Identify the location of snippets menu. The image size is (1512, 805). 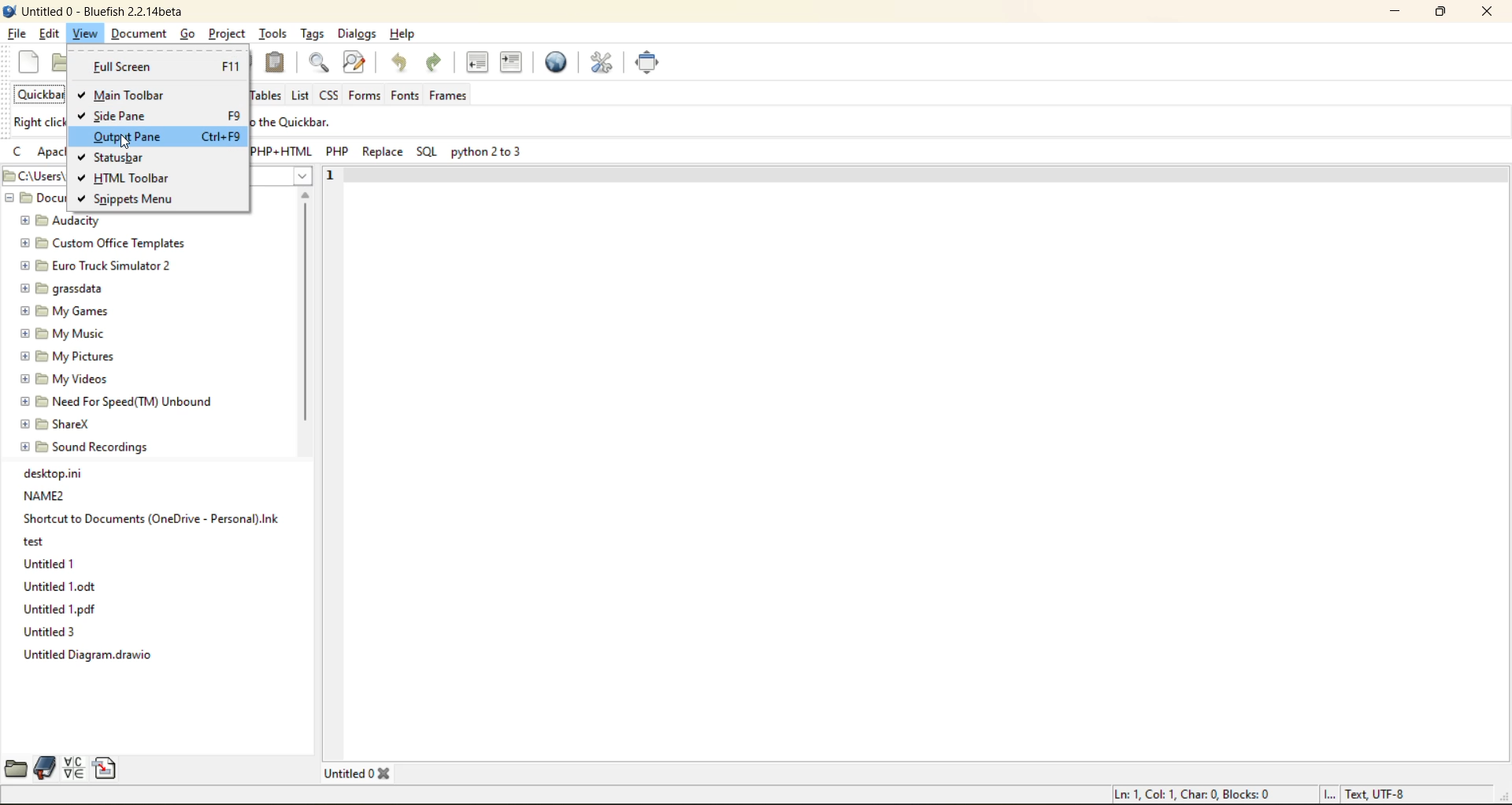
(136, 202).